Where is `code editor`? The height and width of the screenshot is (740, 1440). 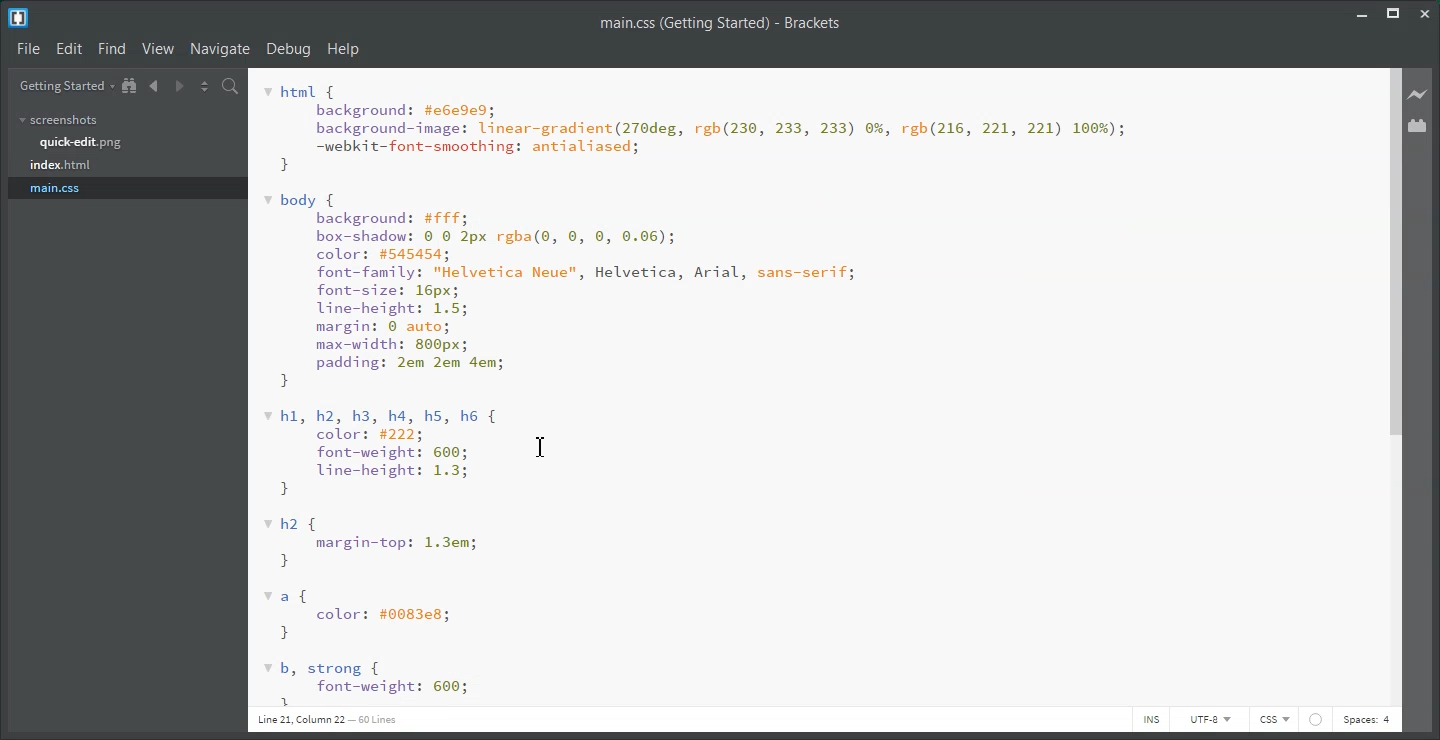
code editor is located at coordinates (815, 388).